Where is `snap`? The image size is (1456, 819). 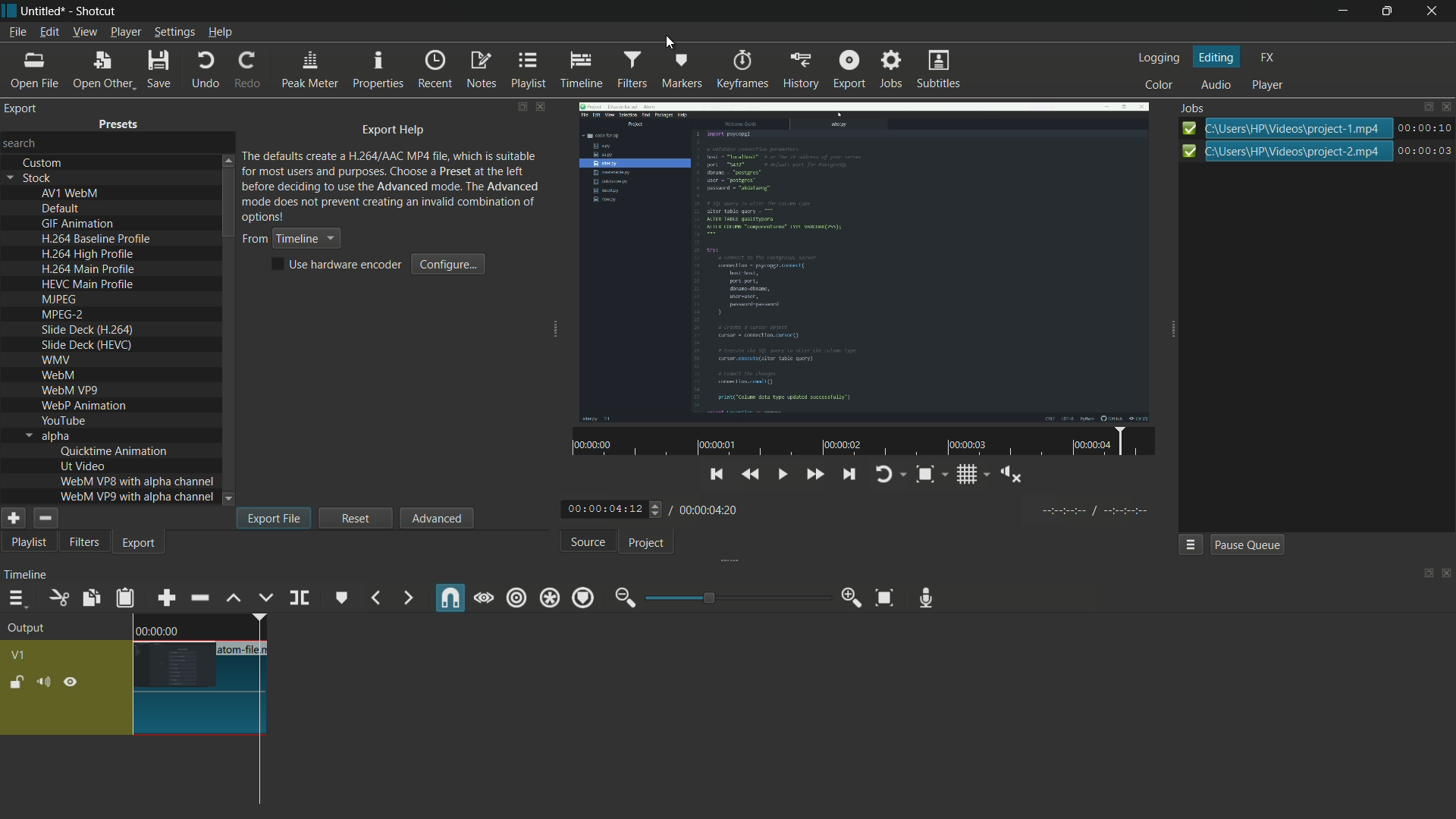 snap is located at coordinates (451, 598).